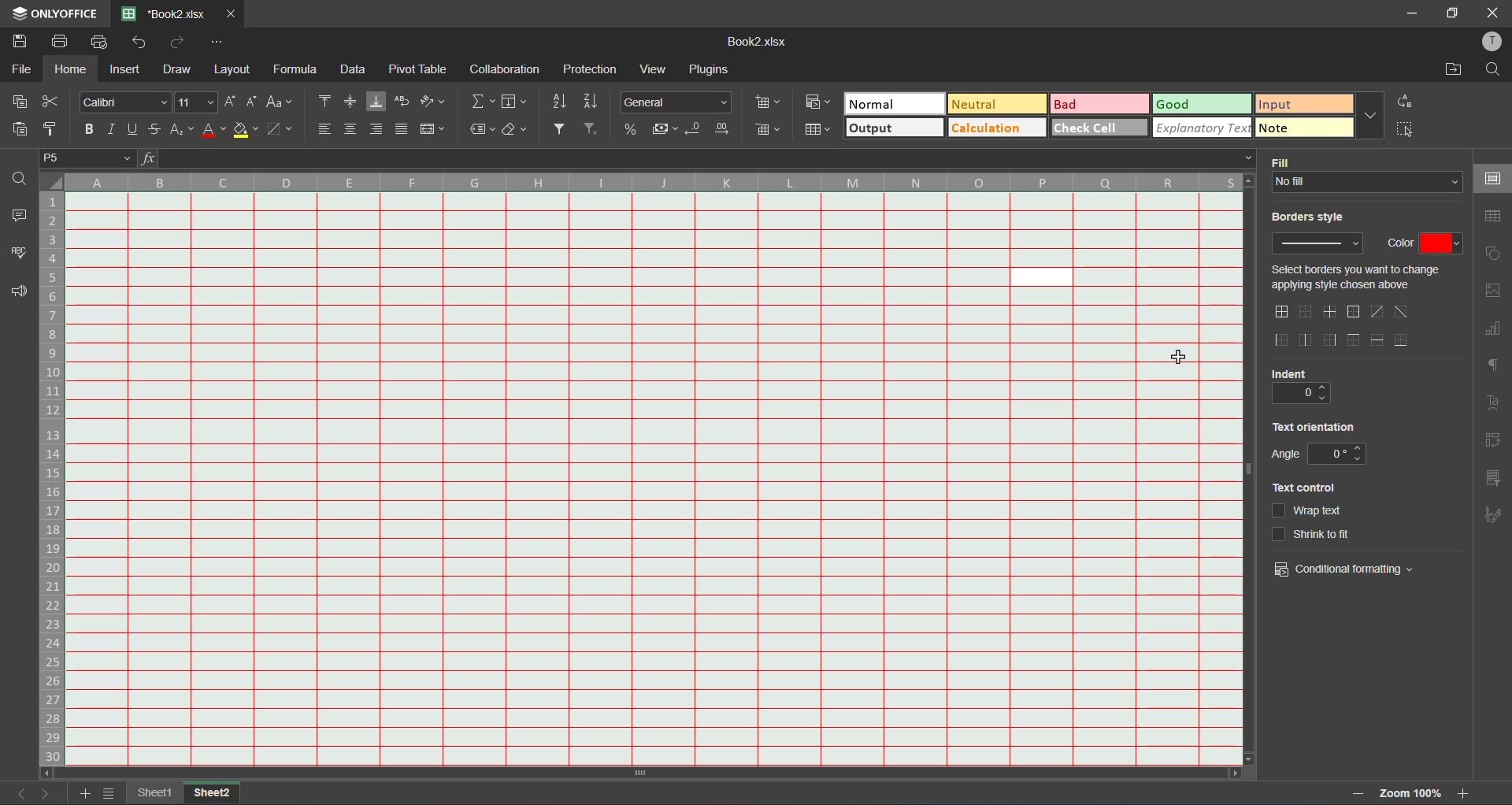 Image resolution: width=1512 pixels, height=805 pixels. I want to click on summation, so click(487, 102).